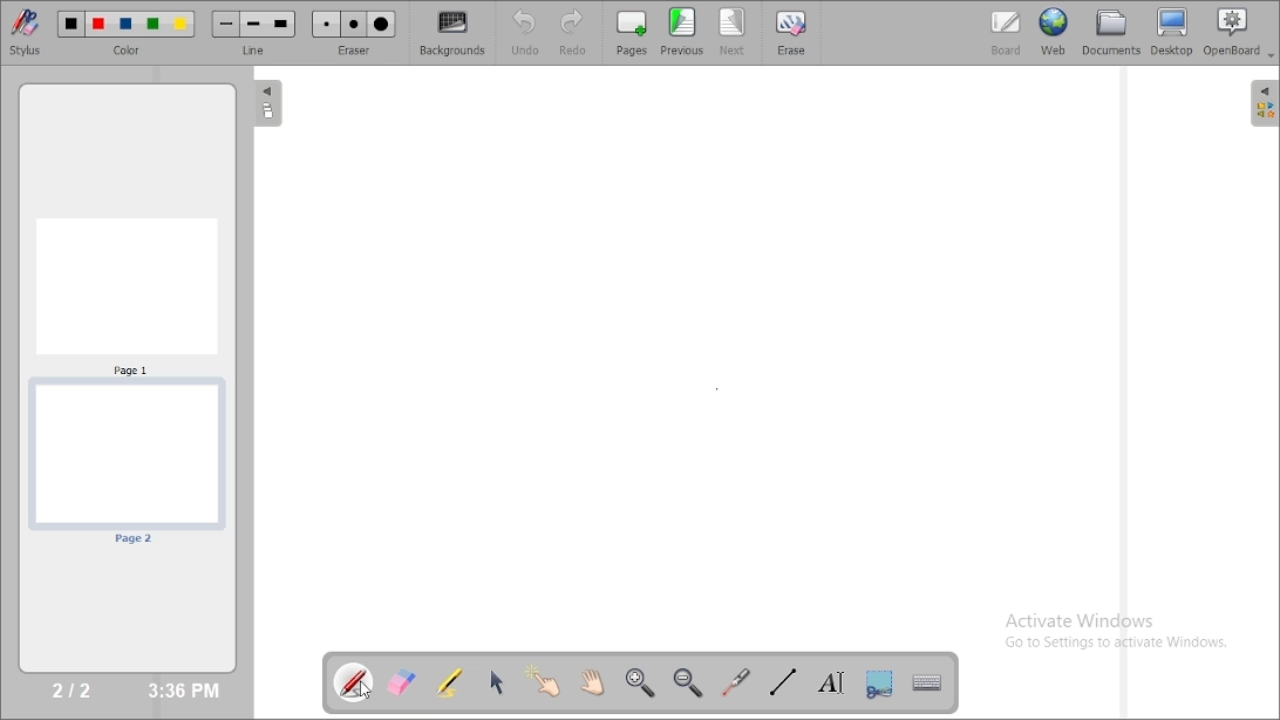 The width and height of the screenshot is (1280, 720). I want to click on highlight, so click(449, 681).